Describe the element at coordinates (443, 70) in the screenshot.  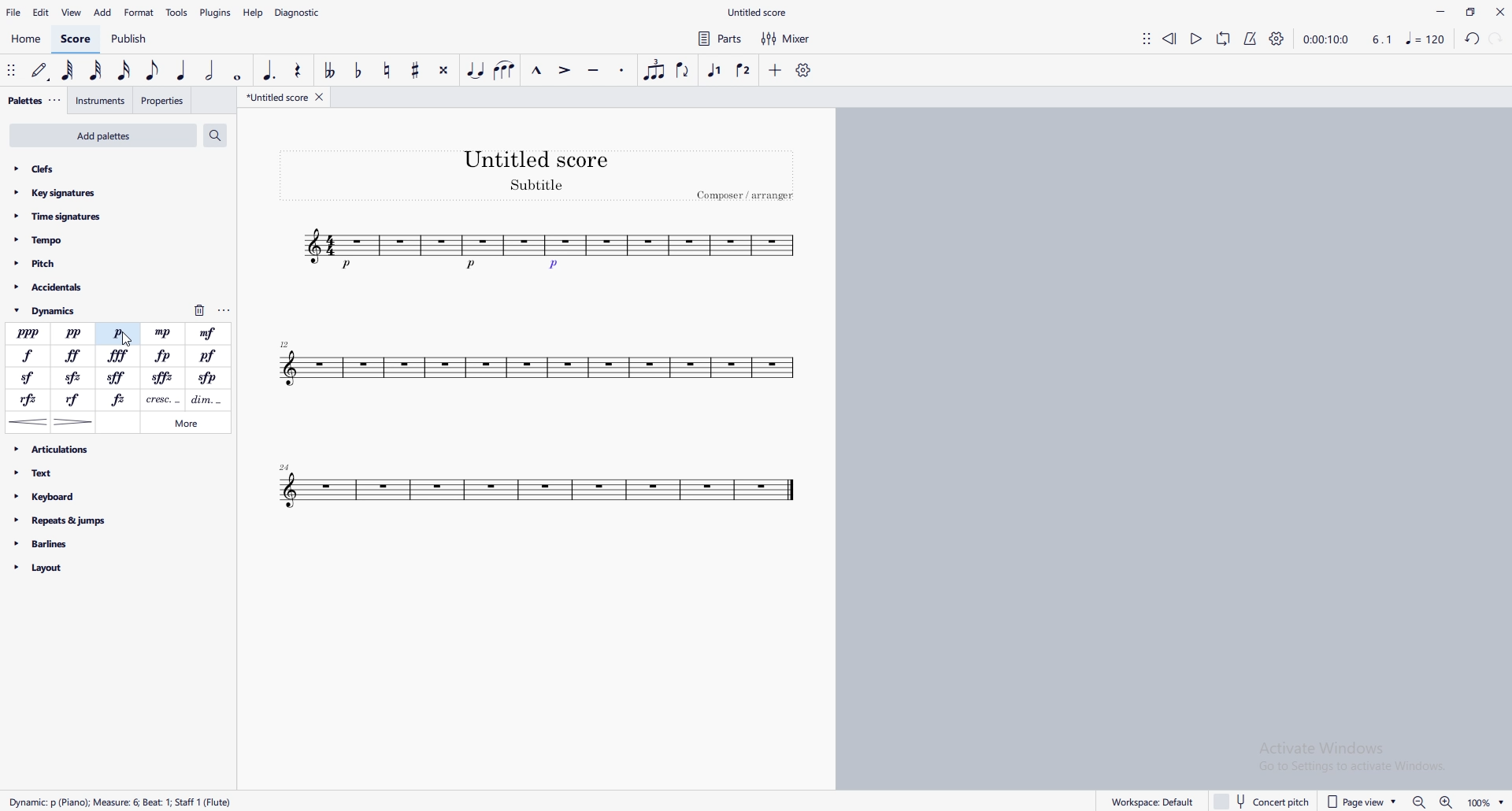
I see `toggle double sharp` at that location.